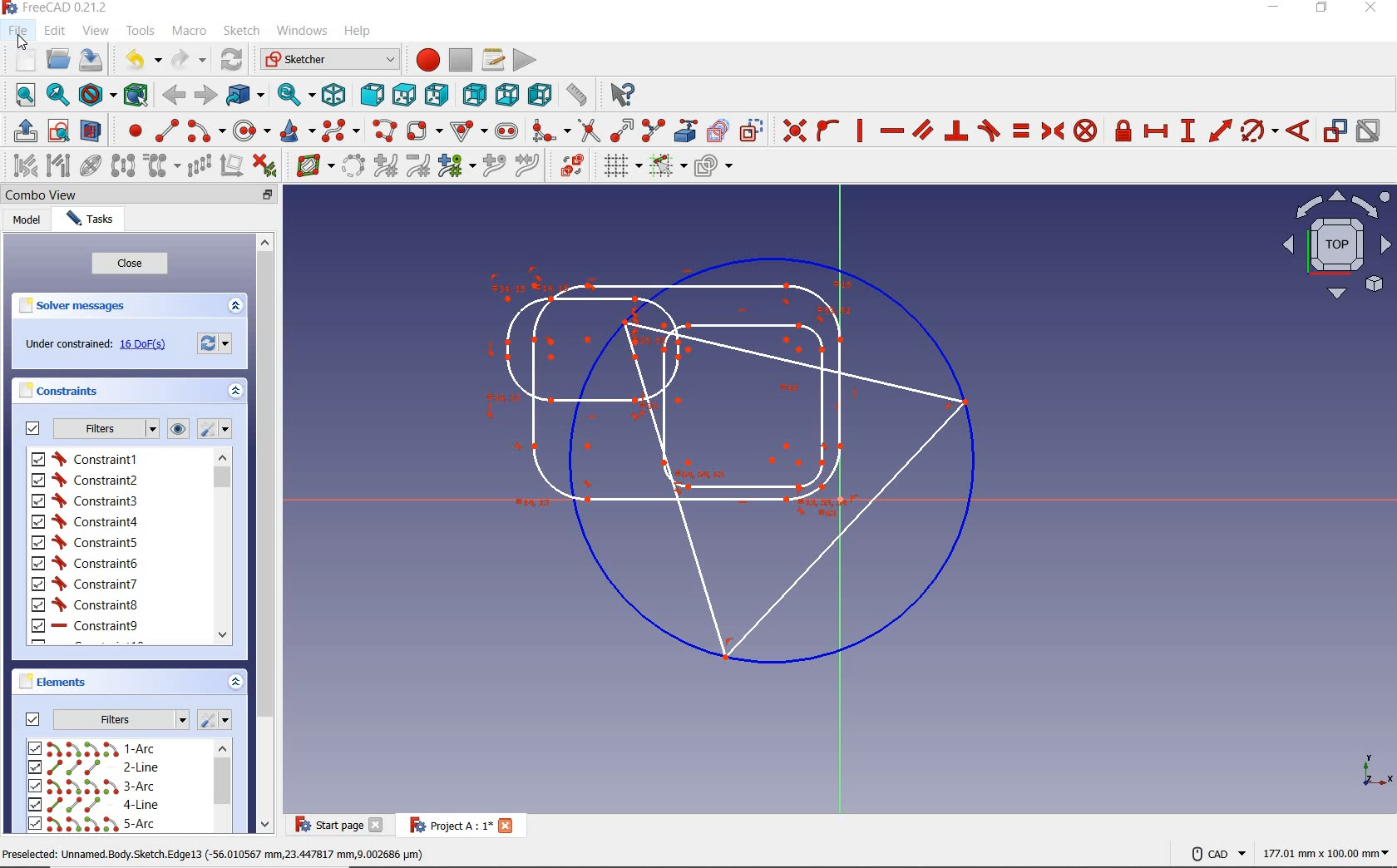  I want to click on file, so click(19, 31).